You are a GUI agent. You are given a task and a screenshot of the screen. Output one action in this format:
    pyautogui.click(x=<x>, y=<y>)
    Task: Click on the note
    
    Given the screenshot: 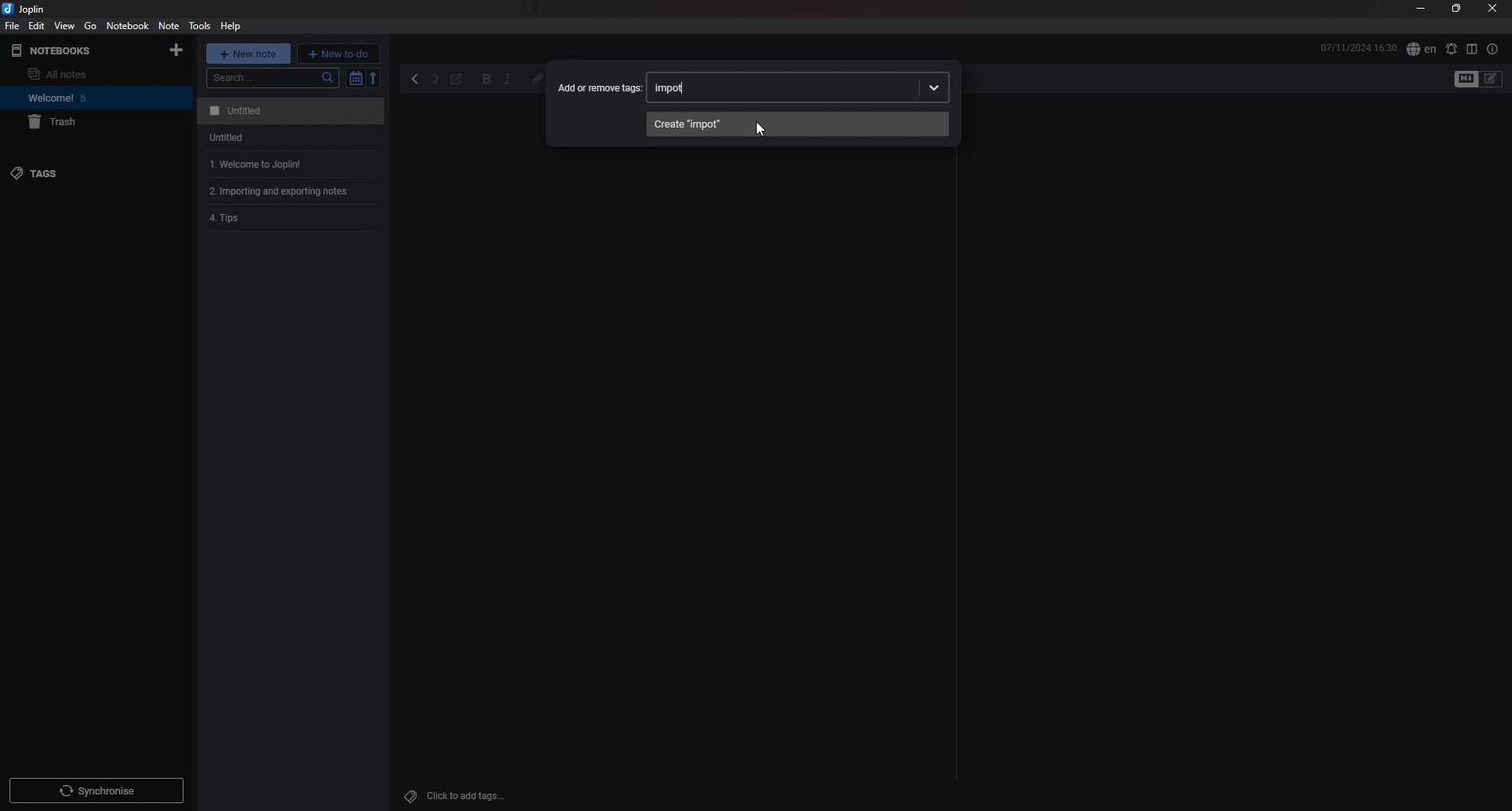 What is the action you would take?
    pyautogui.click(x=287, y=138)
    